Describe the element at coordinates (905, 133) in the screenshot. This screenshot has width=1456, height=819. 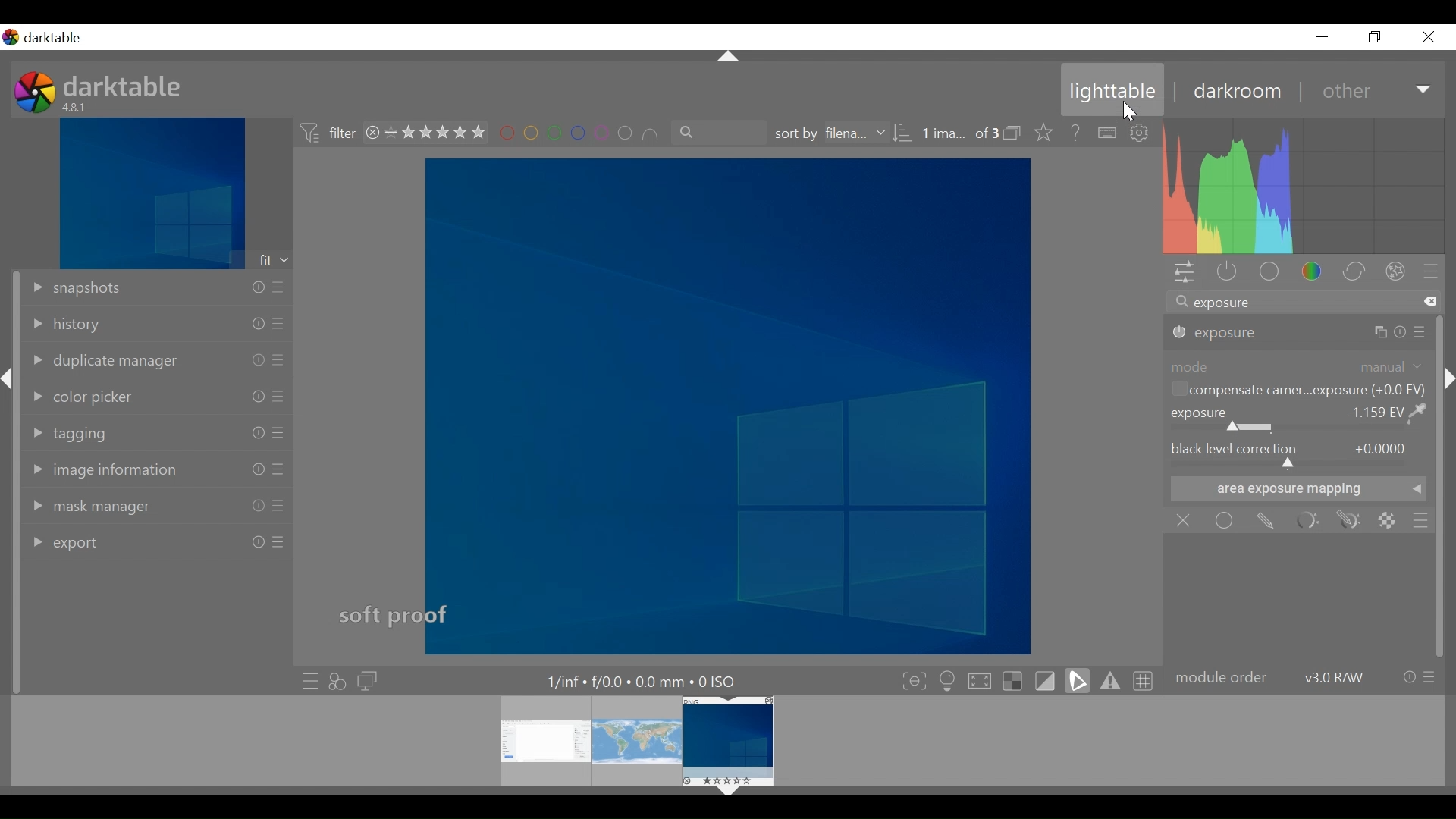
I see `sorting` at that location.